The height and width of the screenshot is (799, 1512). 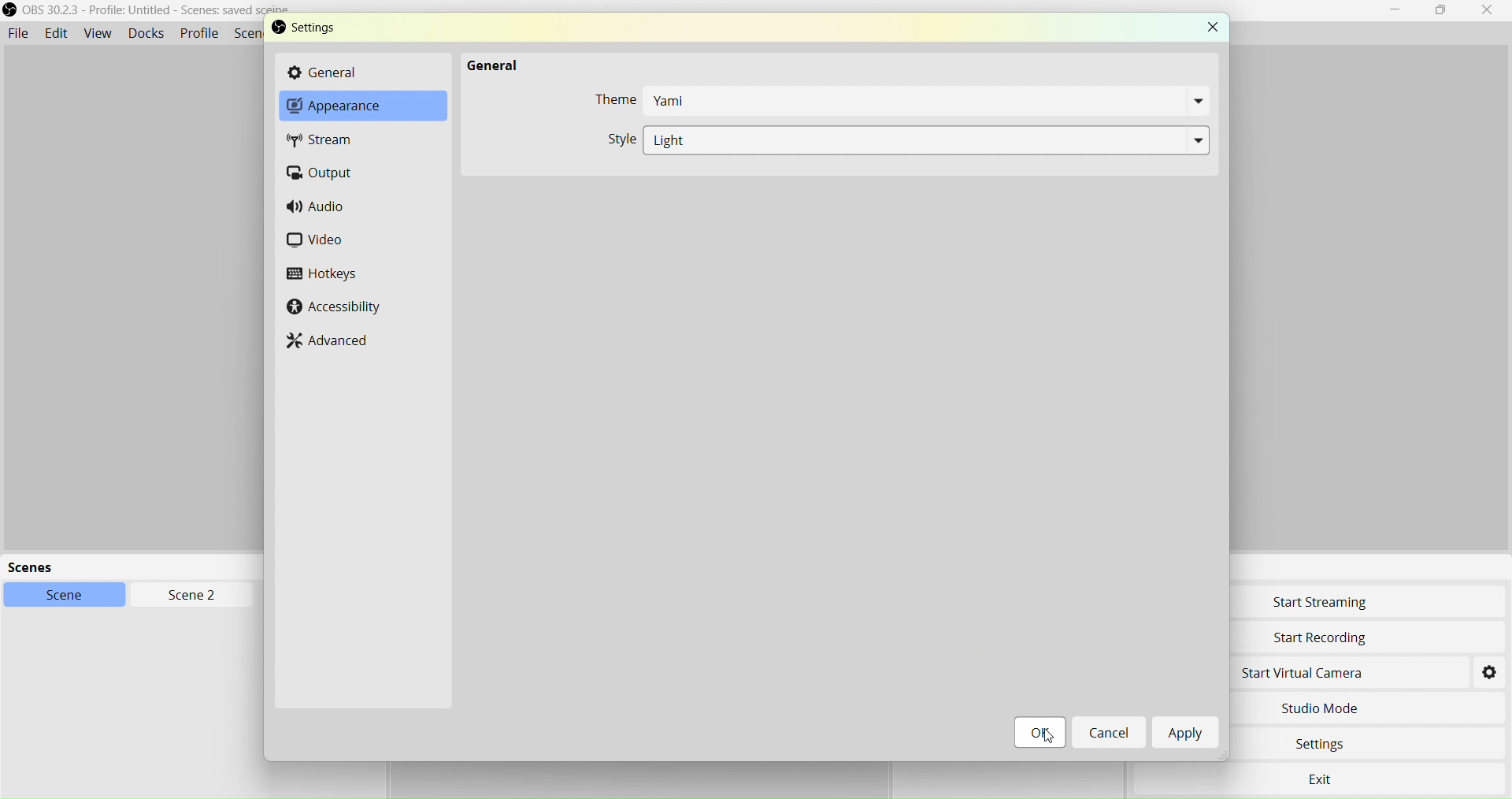 I want to click on Exit, so click(x=1325, y=779).